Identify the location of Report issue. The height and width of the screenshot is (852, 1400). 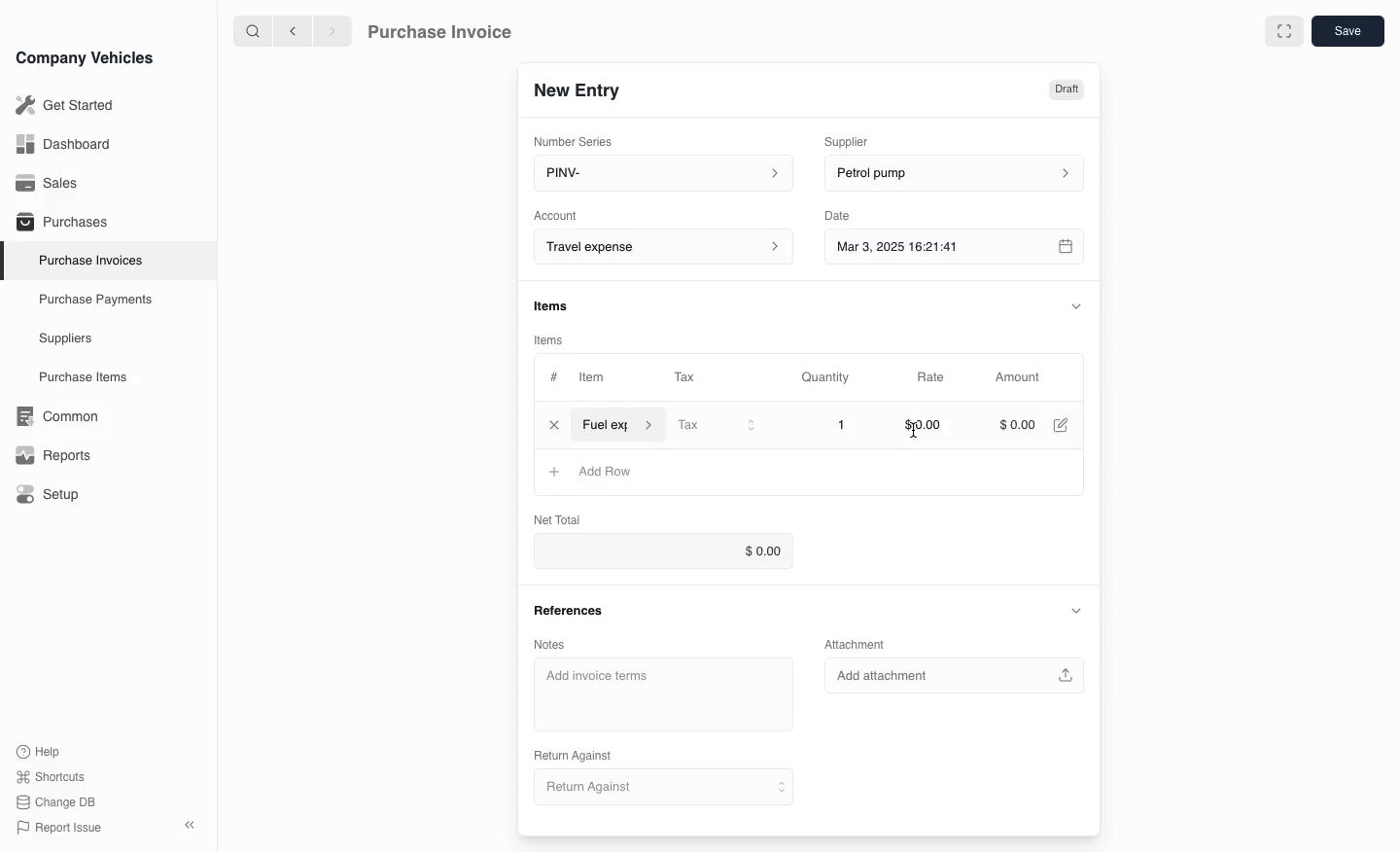
(62, 829).